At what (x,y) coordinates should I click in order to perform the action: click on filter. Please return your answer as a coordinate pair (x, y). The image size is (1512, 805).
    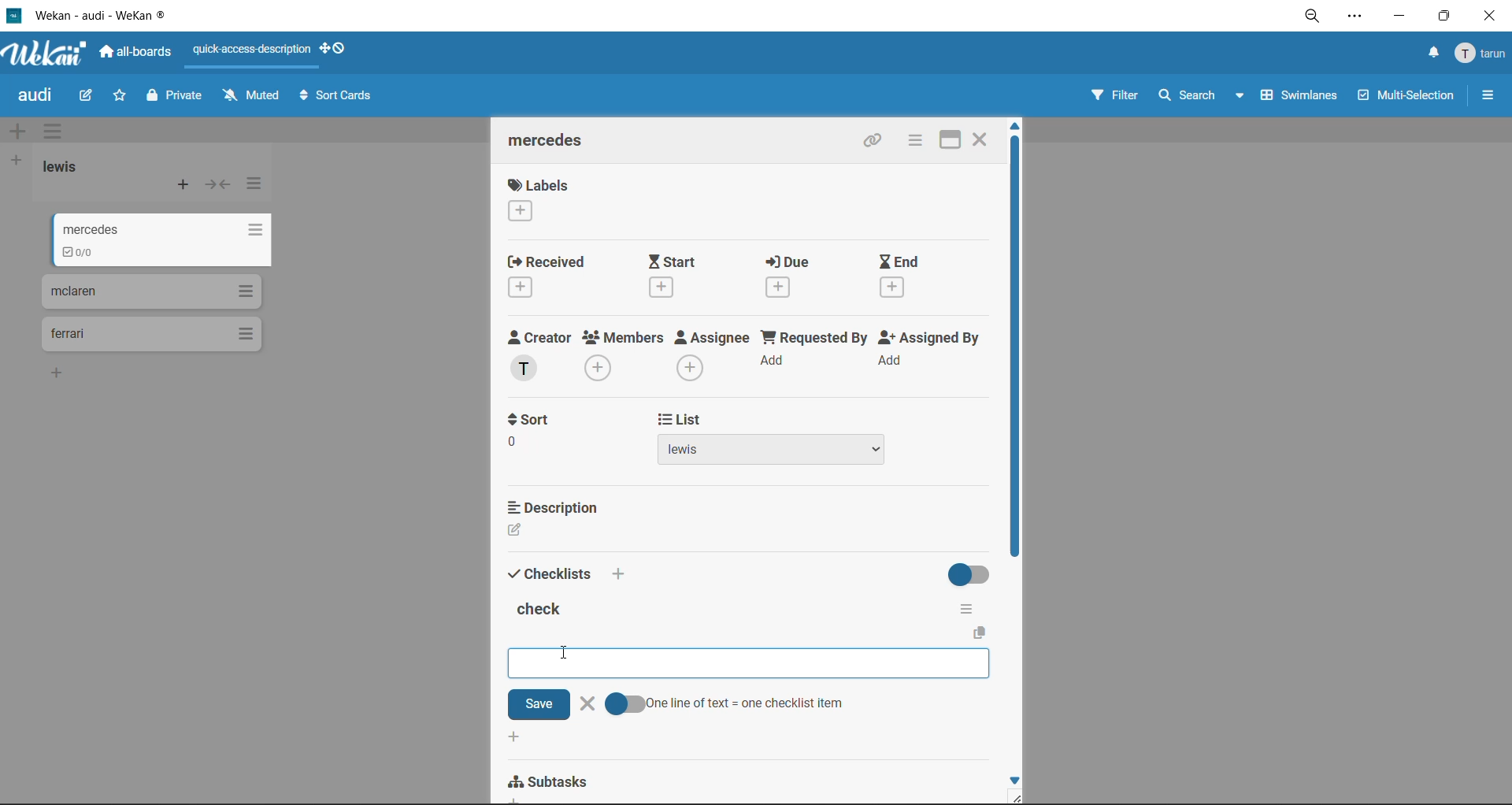
    Looking at the image, I should click on (1113, 98).